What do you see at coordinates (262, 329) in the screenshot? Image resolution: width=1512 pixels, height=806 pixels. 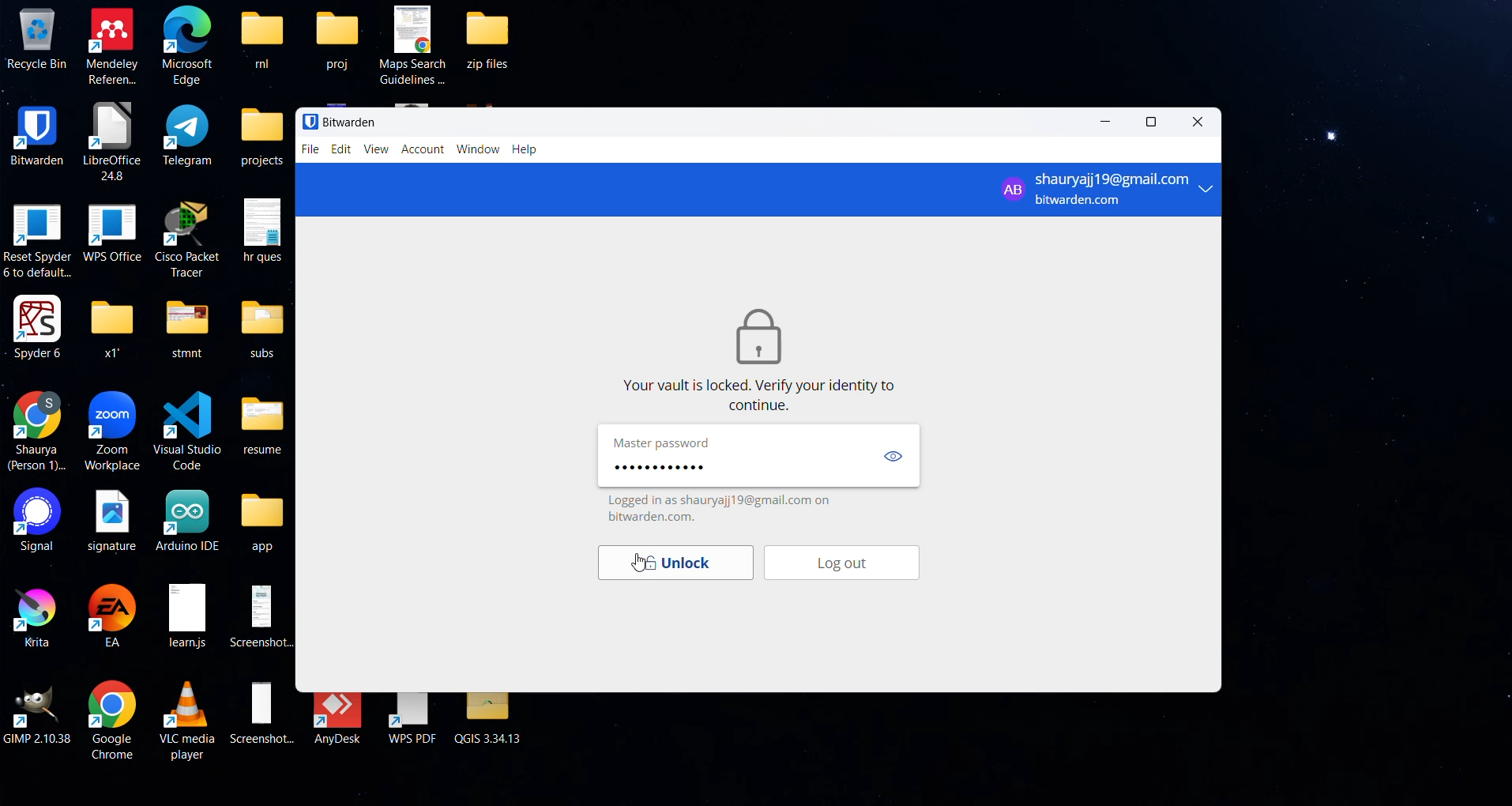 I see `subs` at bounding box center [262, 329].